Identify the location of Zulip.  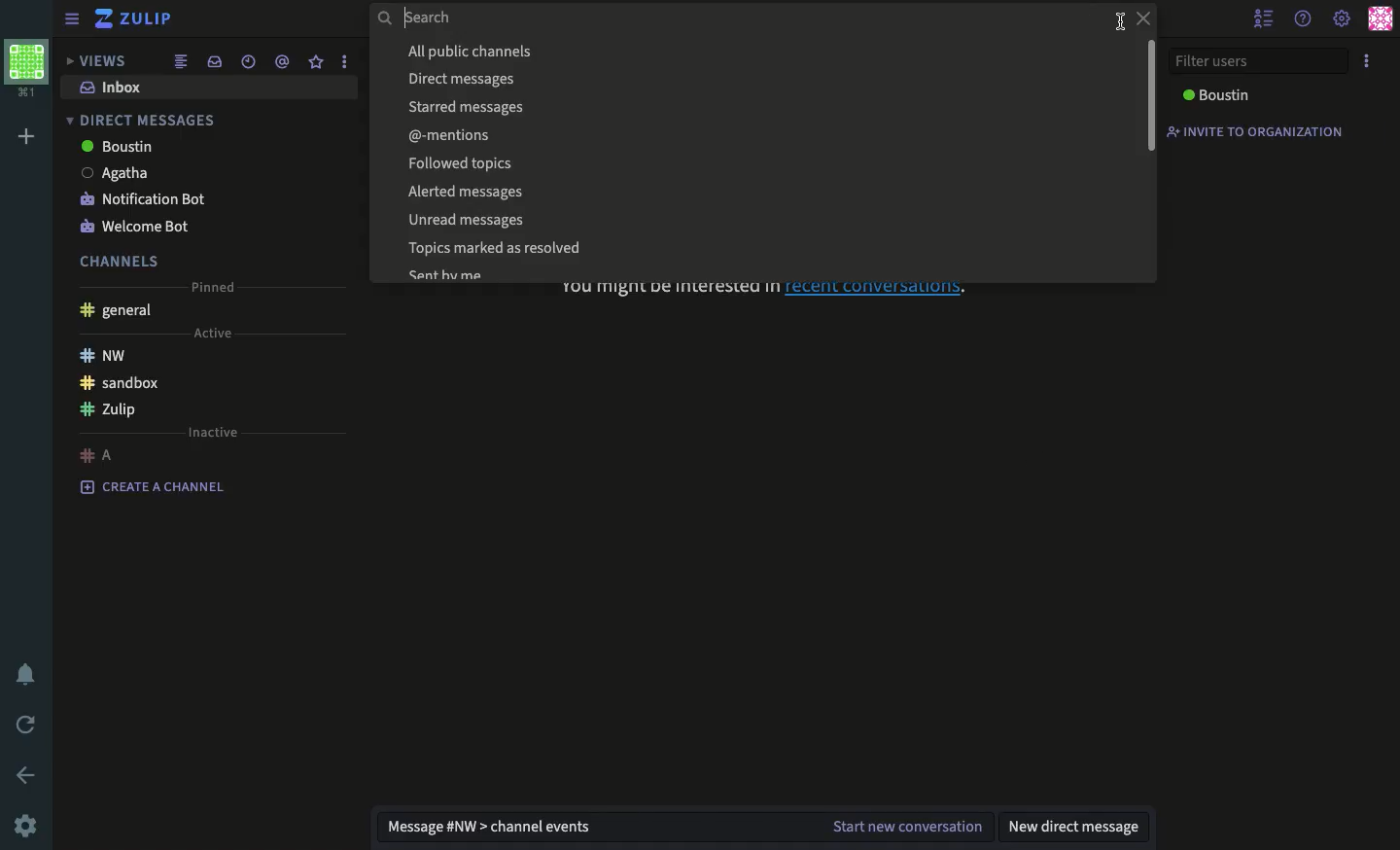
(110, 411).